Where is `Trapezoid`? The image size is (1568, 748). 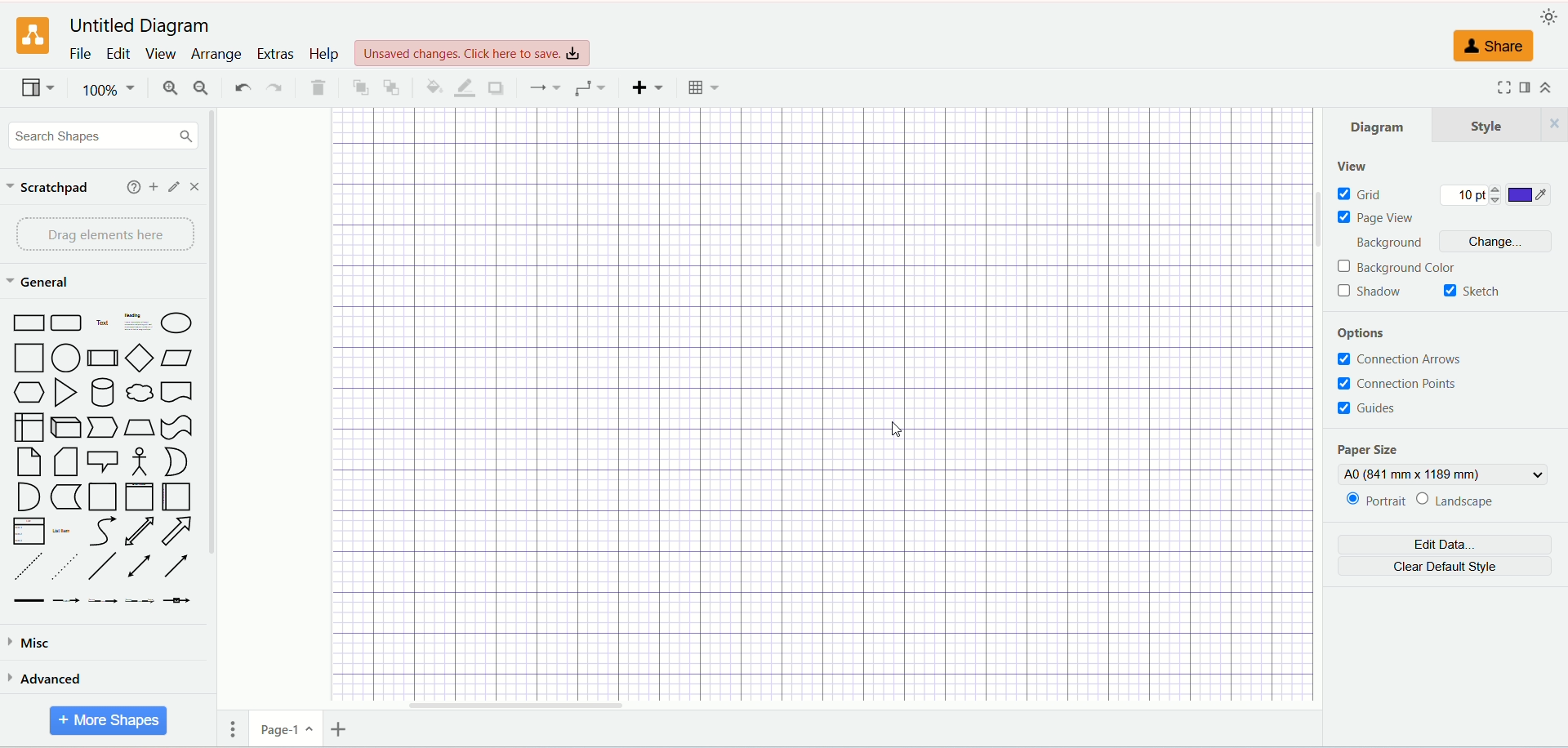
Trapezoid is located at coordinates (139, 428).